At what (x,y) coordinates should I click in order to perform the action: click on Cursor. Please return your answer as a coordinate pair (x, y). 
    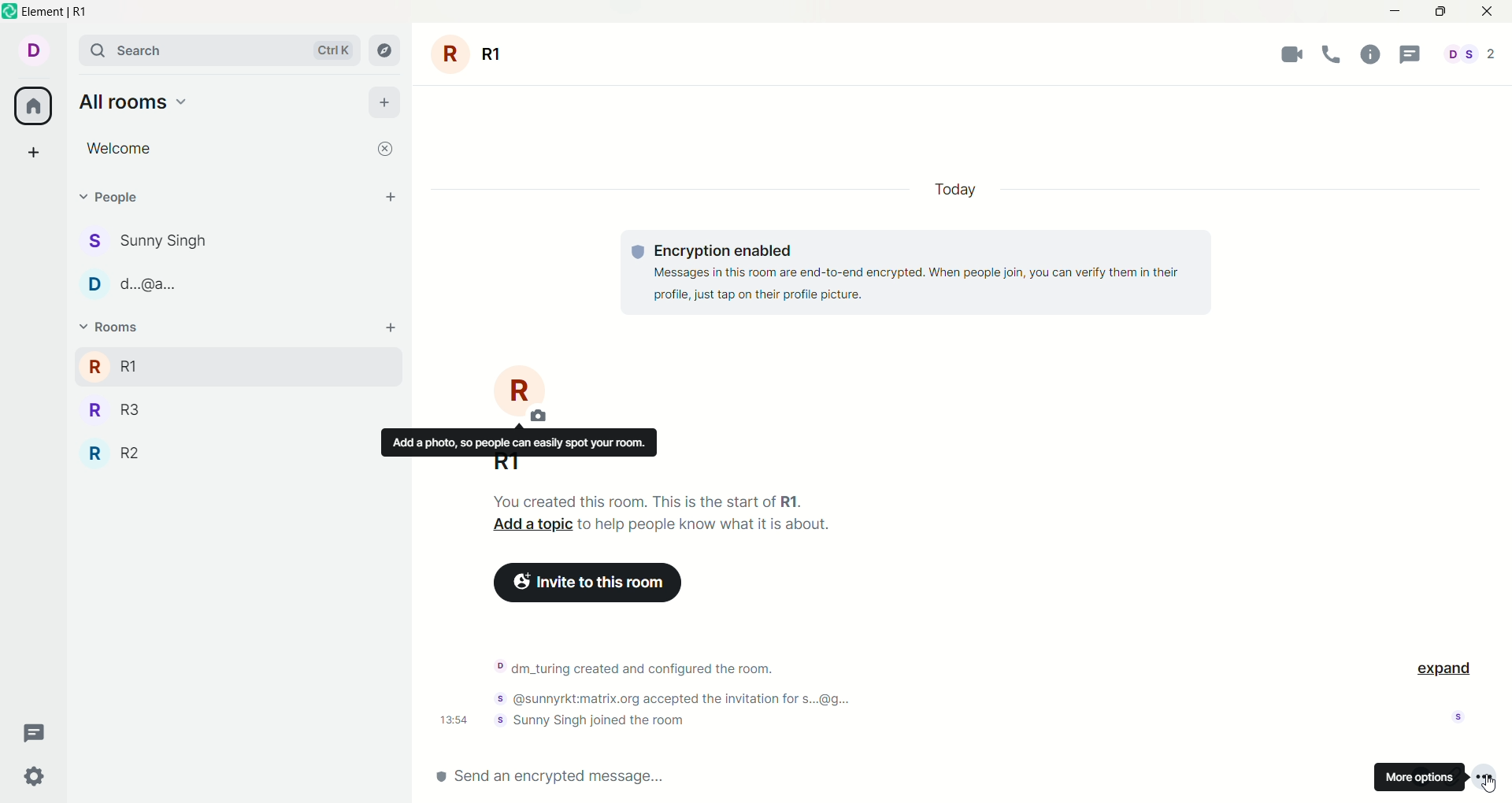
    Looking at the image, I should click on (1488, 783).